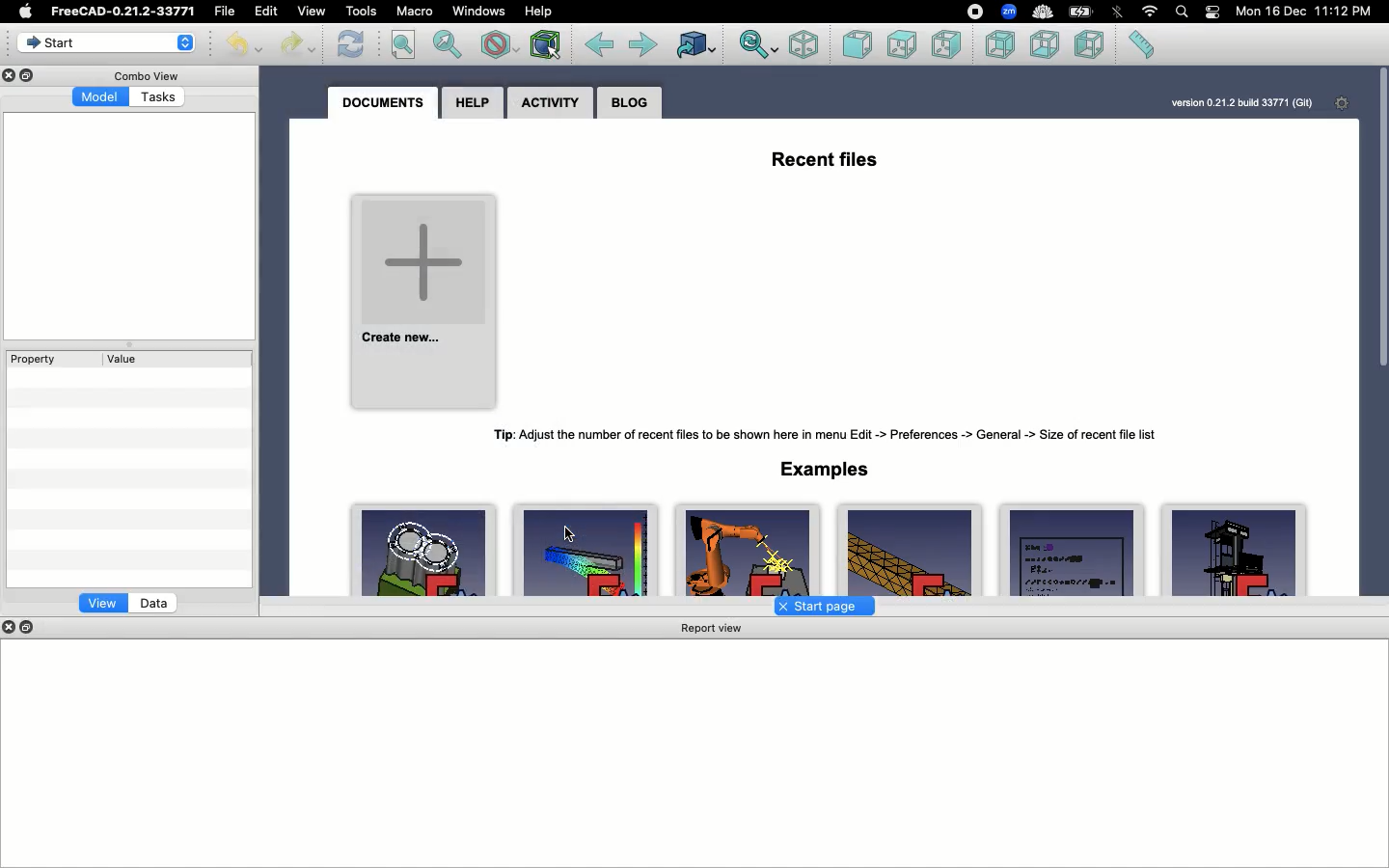 The height and width of the screenshot is (868, 1389). Describe the element at coordinates (425, 548) in the screenshot. I see `EngineBlock.FCStd Werner Mayer 78Kb` at that location.